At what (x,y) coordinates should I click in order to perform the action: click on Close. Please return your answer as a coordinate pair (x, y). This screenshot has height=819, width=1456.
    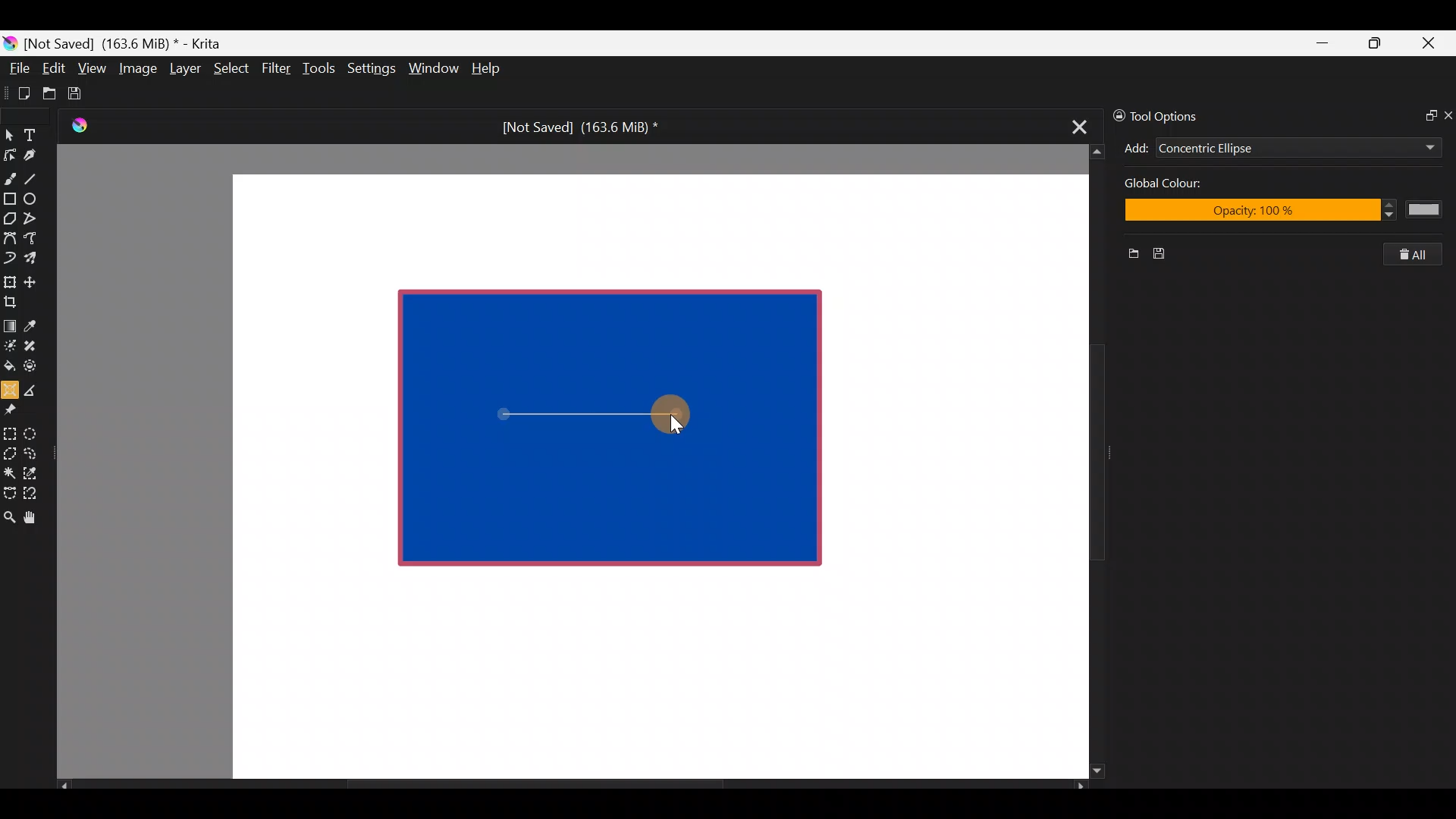
    Looking at the image, I should click on (1429, 46).